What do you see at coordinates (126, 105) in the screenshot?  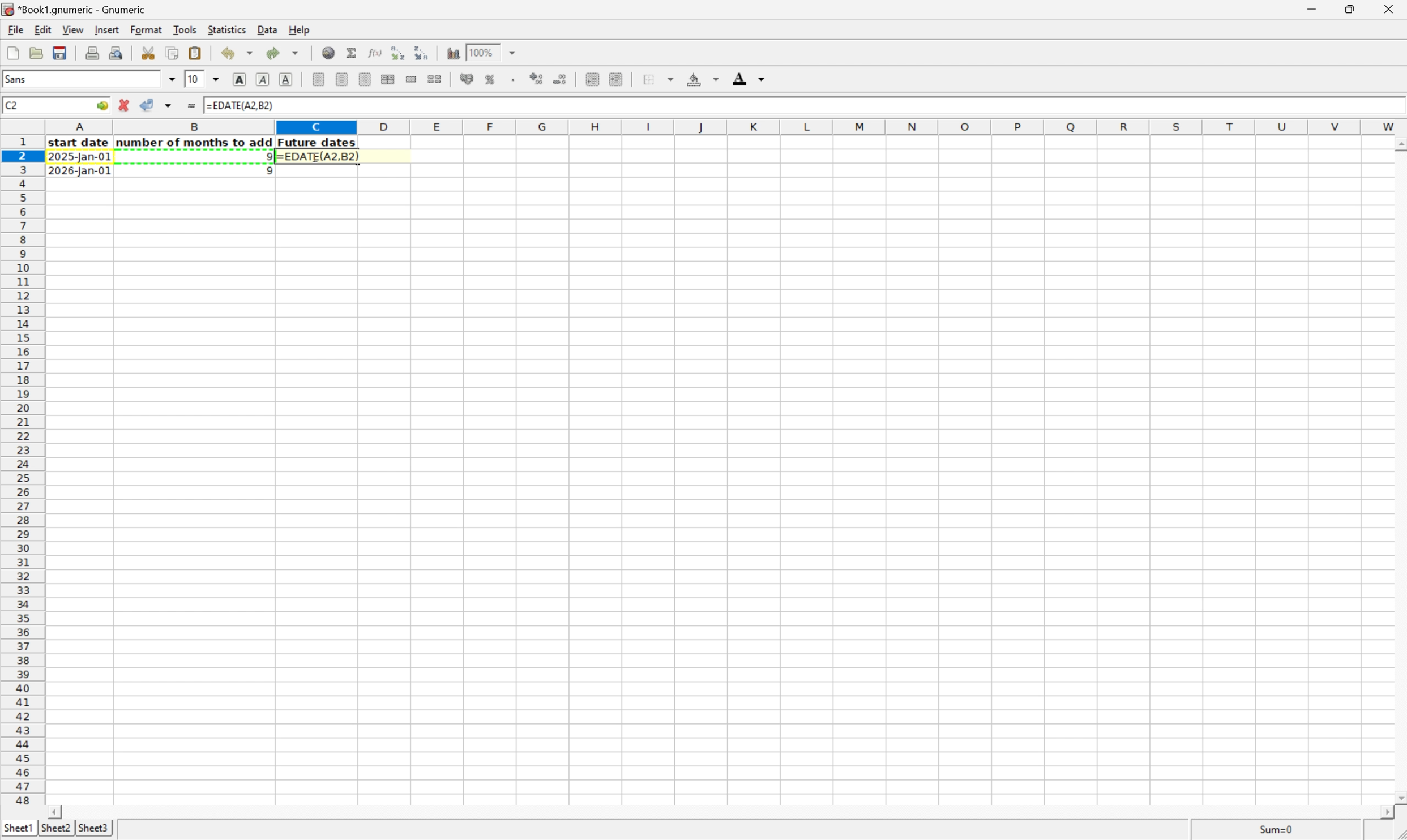 I see `Cancel changes` at bounding box center [126, 105].